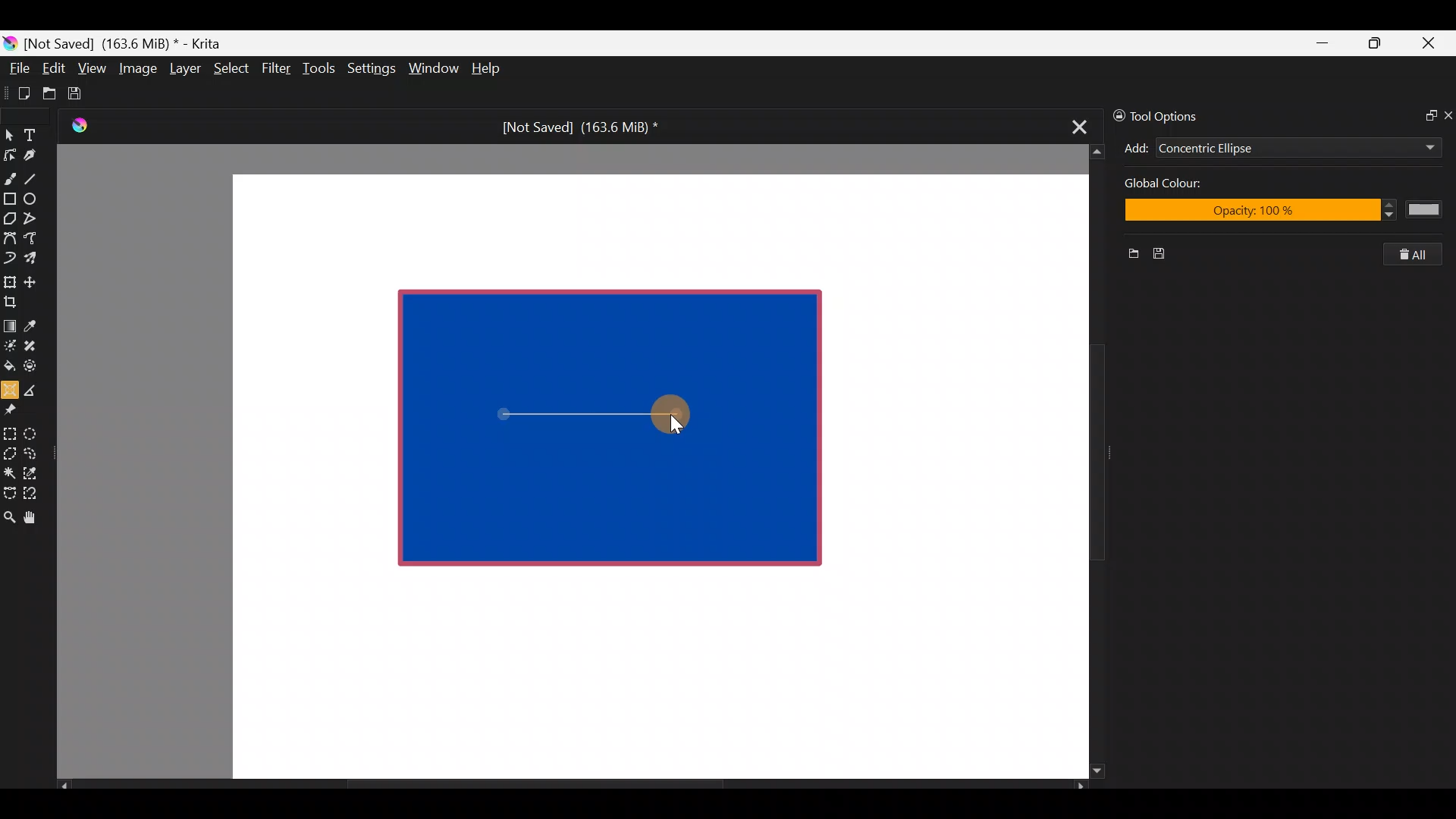  I want to click on Add concentric ellipse, so click(1134, 146).